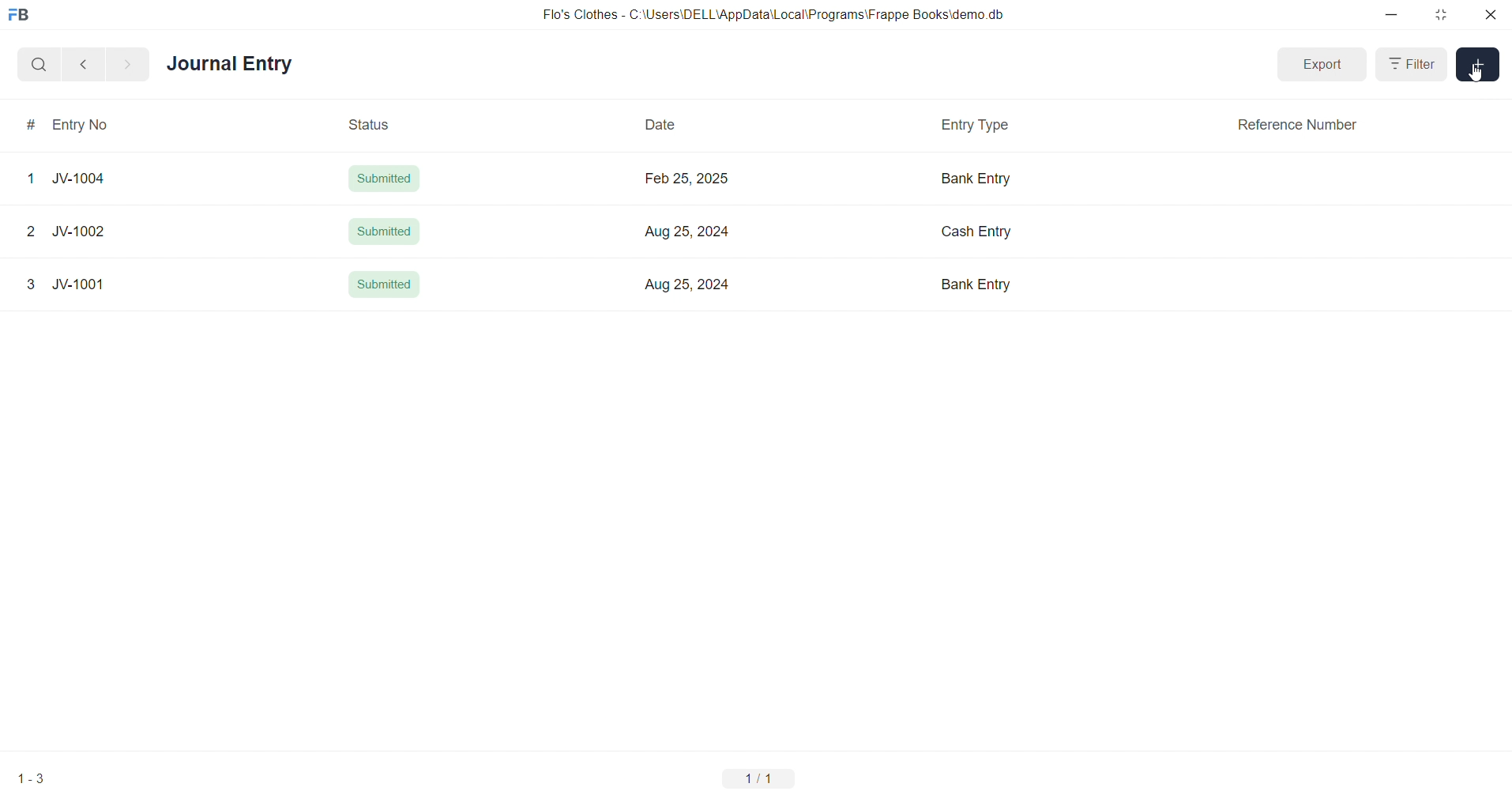 Image resolution: width=1512 pixels, height=806 pixels. Describe the element at coordinates (79, 285) in the screenshot. I see `JV-1001` at that location.